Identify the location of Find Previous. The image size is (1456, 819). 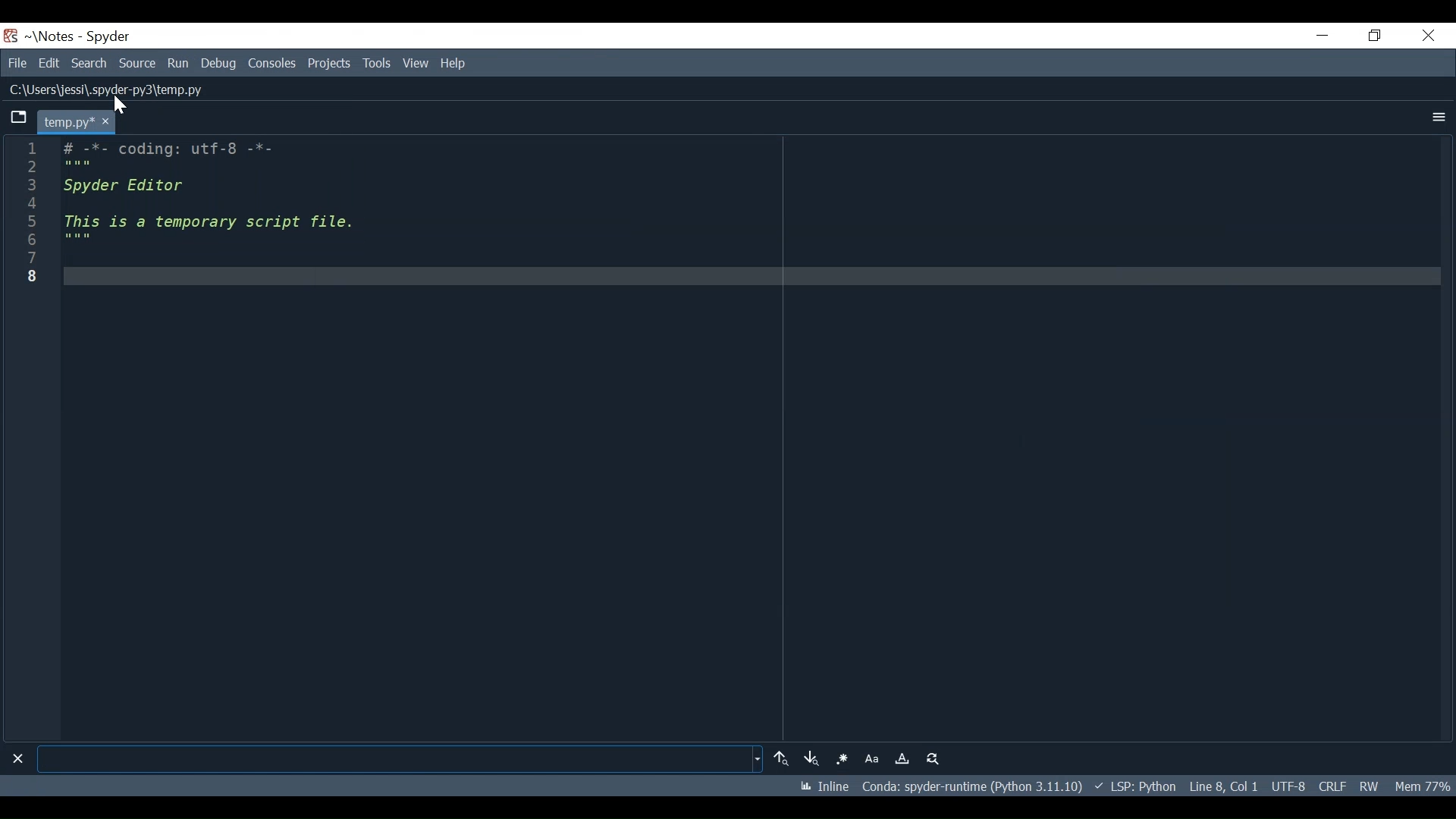
(780, 758).